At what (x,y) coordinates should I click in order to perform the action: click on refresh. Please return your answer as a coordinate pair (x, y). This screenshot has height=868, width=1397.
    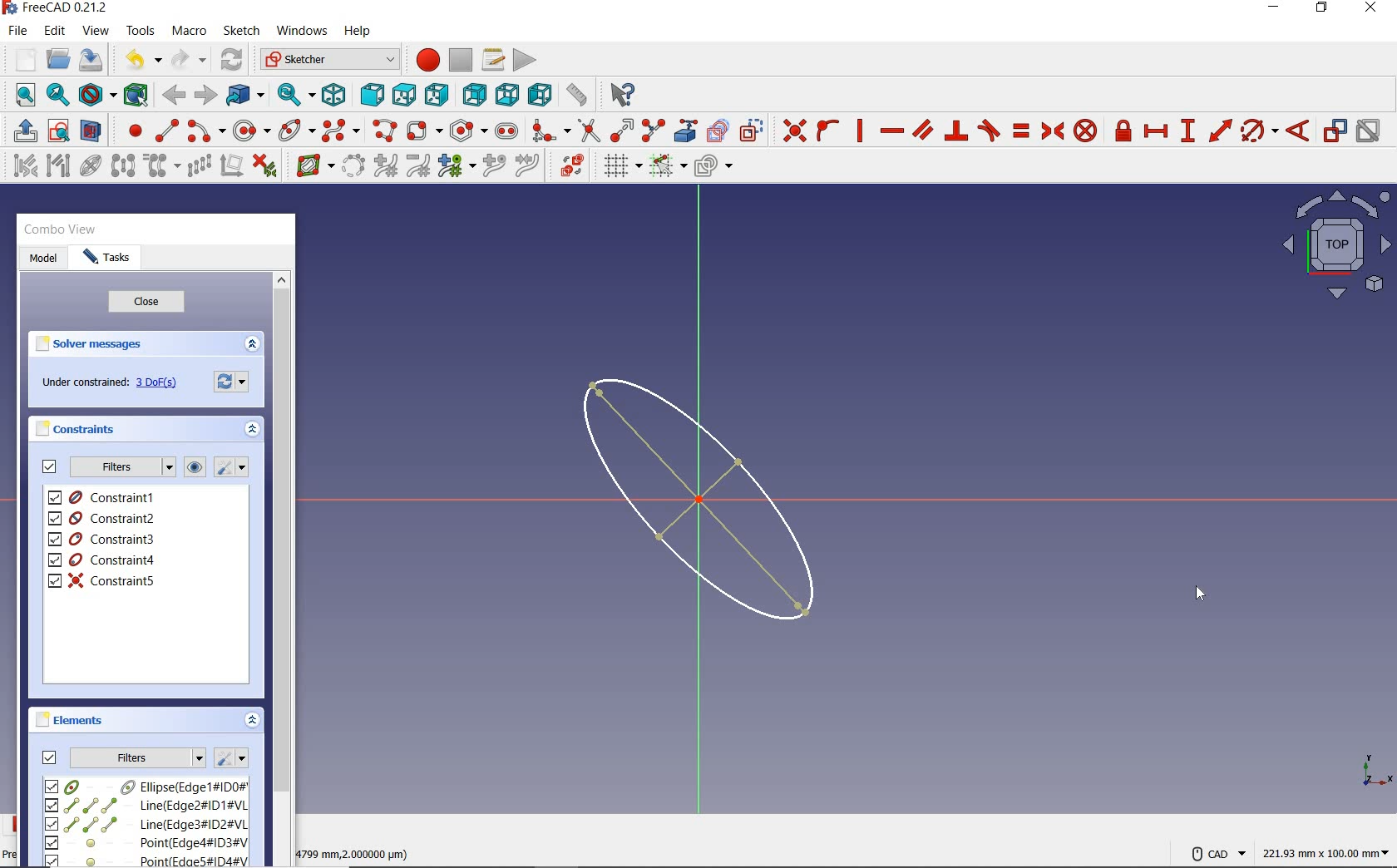
    Looking at the image, I should click on (234, 61).